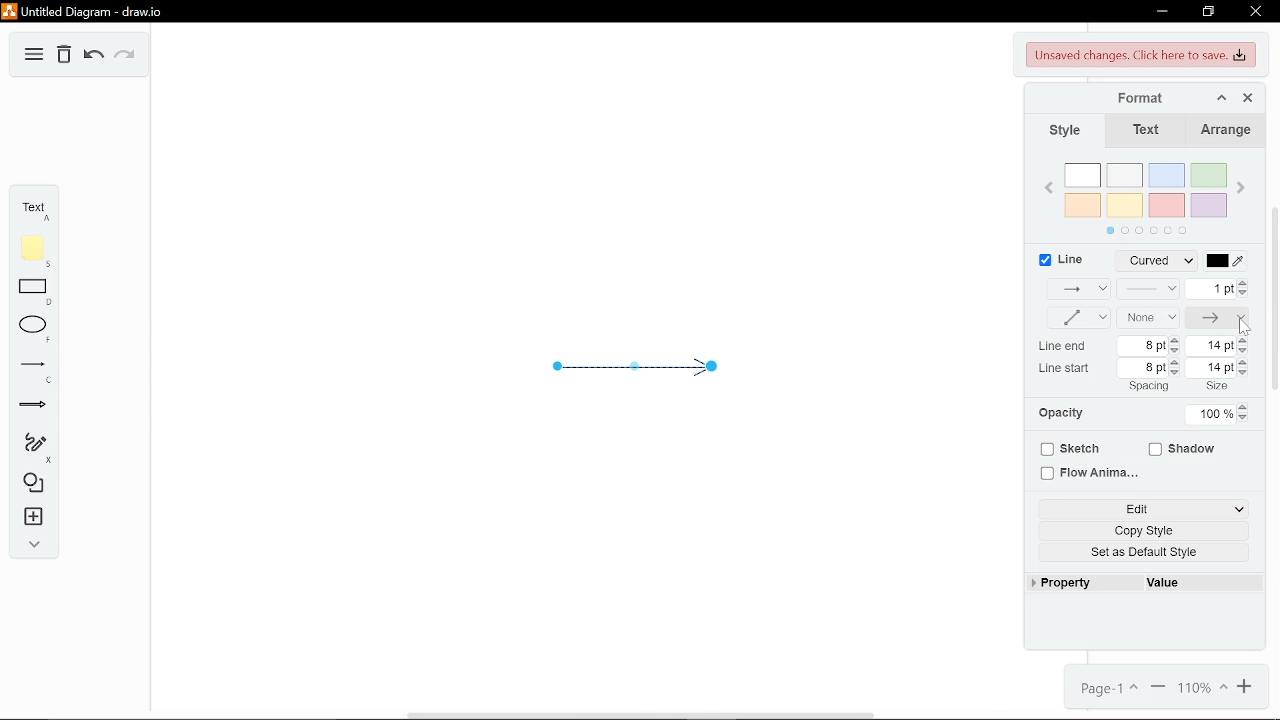 The image size is (1280, 720). I want to click on Decrease line end spacing, so click(1178, 352).